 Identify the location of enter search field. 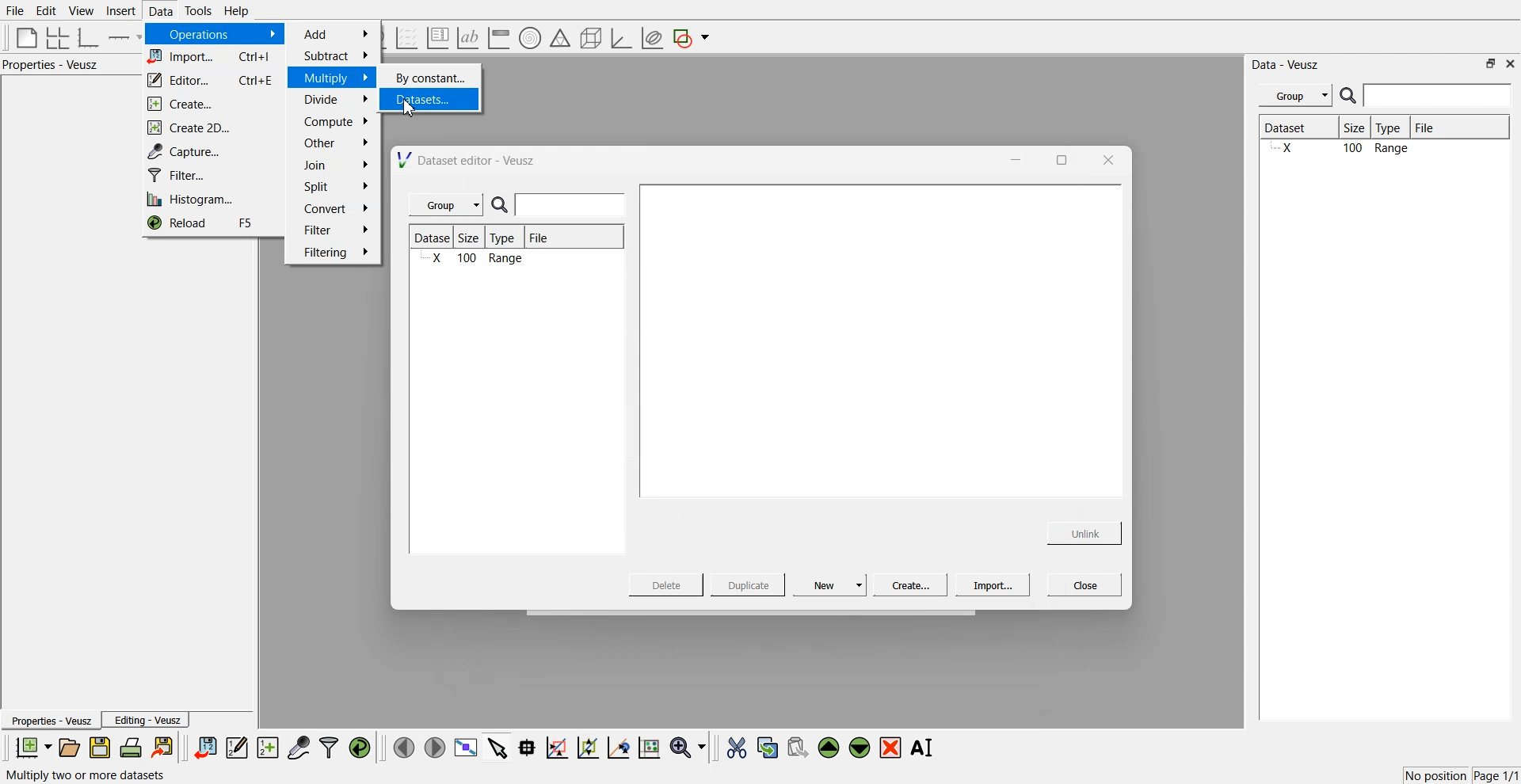
(573, 205).